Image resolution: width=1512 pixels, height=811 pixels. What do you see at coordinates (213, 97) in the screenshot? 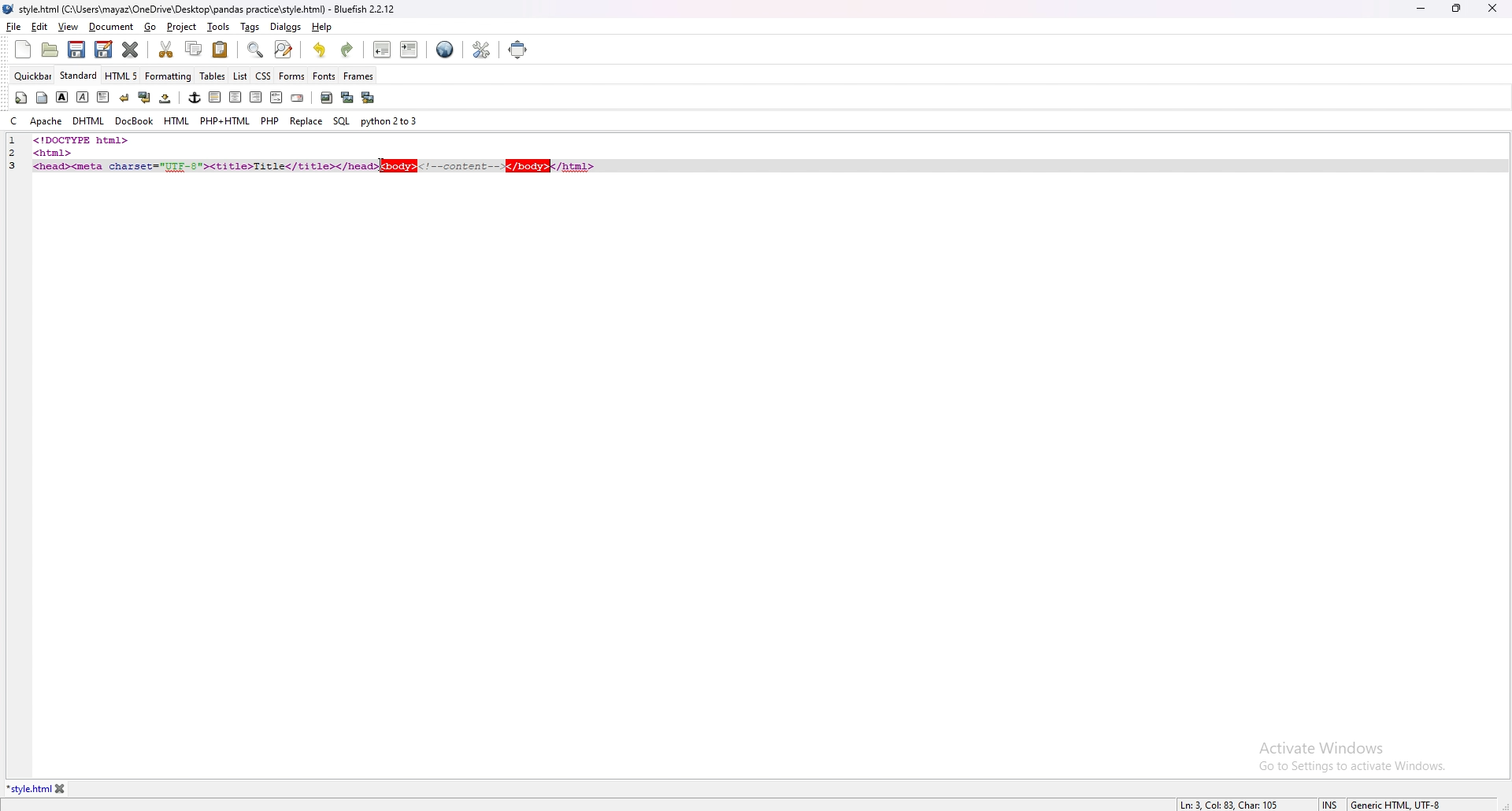
I see `left indent` at bounding box center [213, 97].